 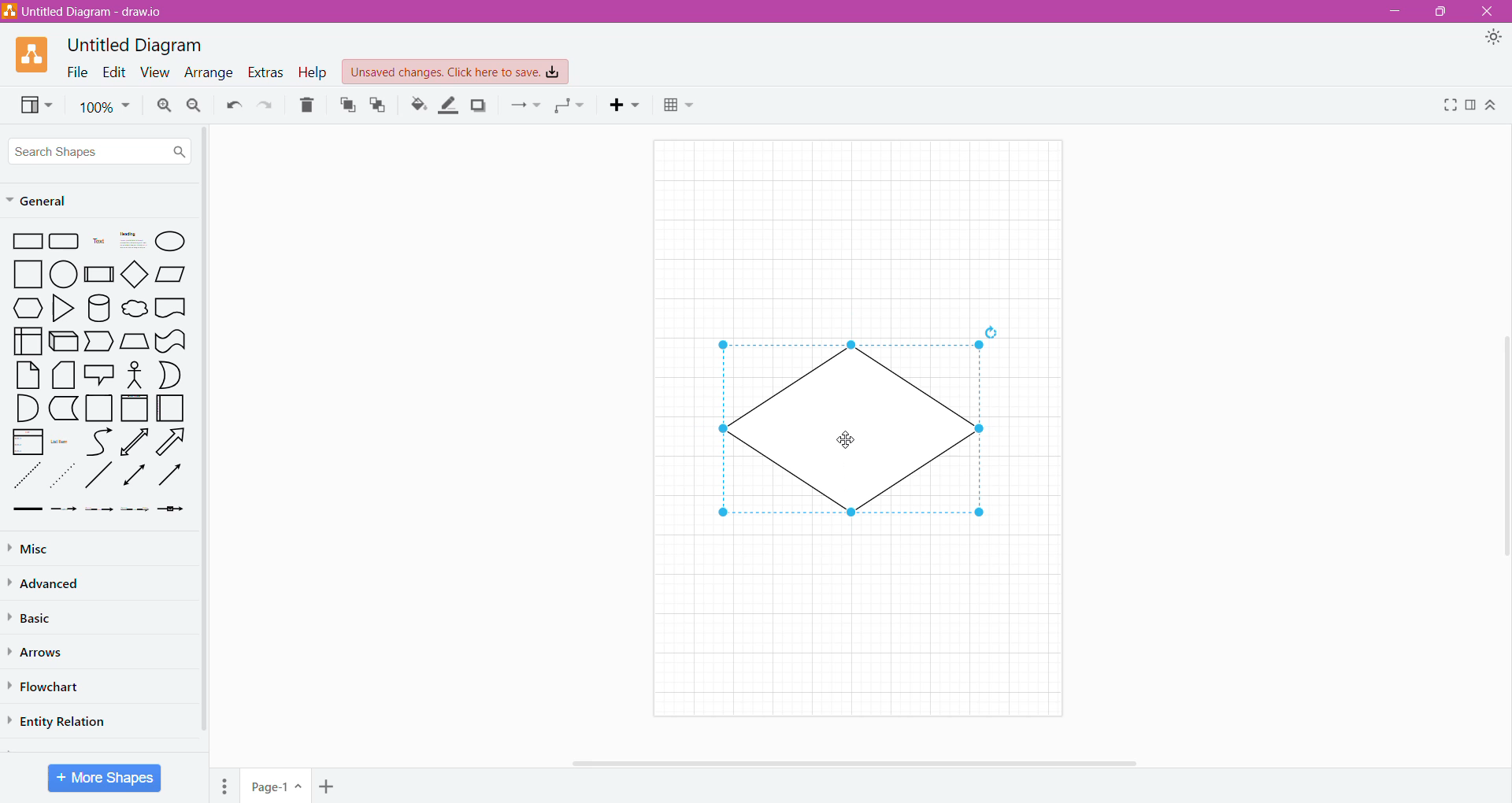 I want to click on Cube, so click(x=62, y=342).